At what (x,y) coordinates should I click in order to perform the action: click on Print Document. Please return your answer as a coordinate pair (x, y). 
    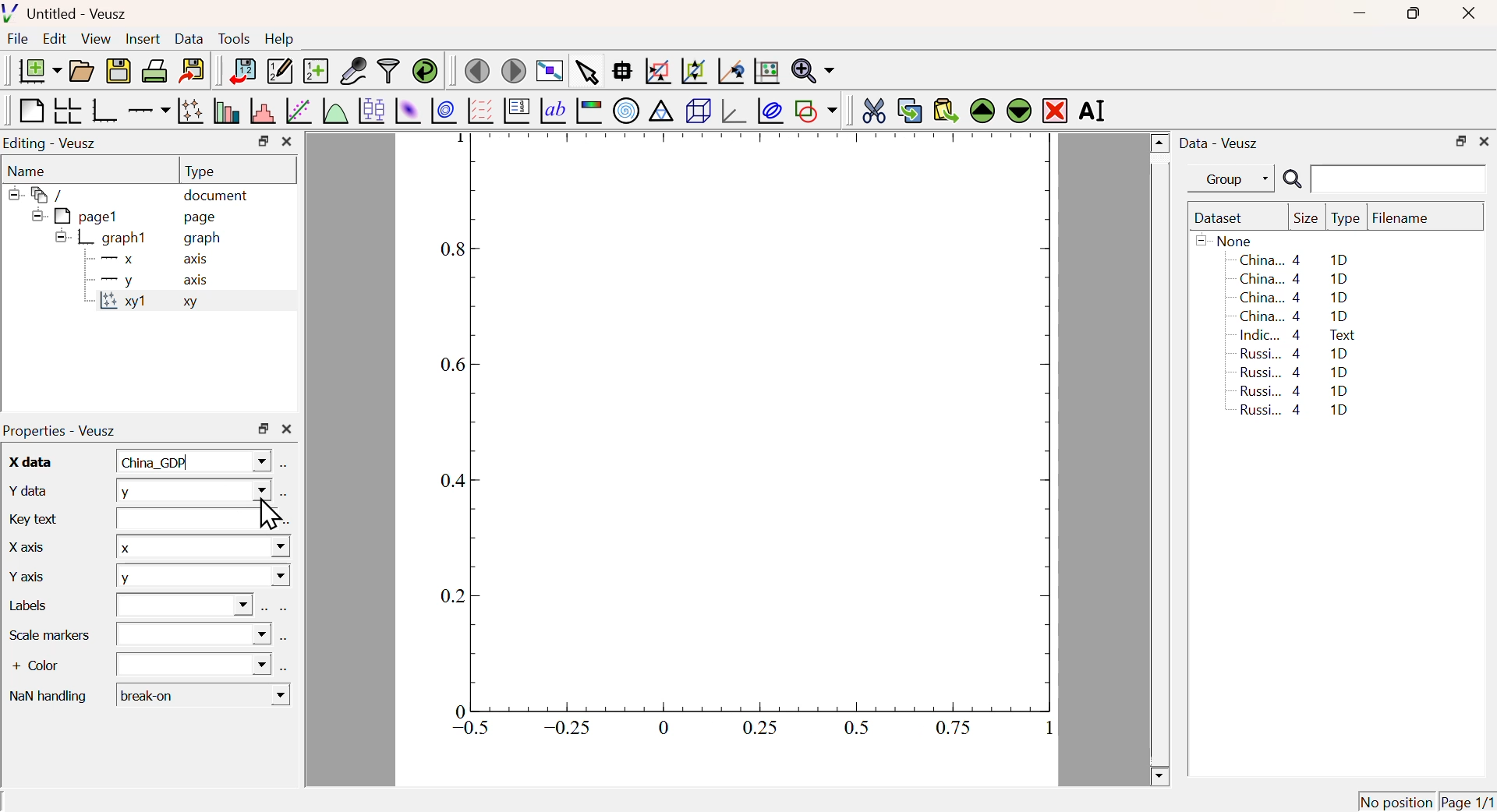
    Looking at the image, I should click on (154, 70).